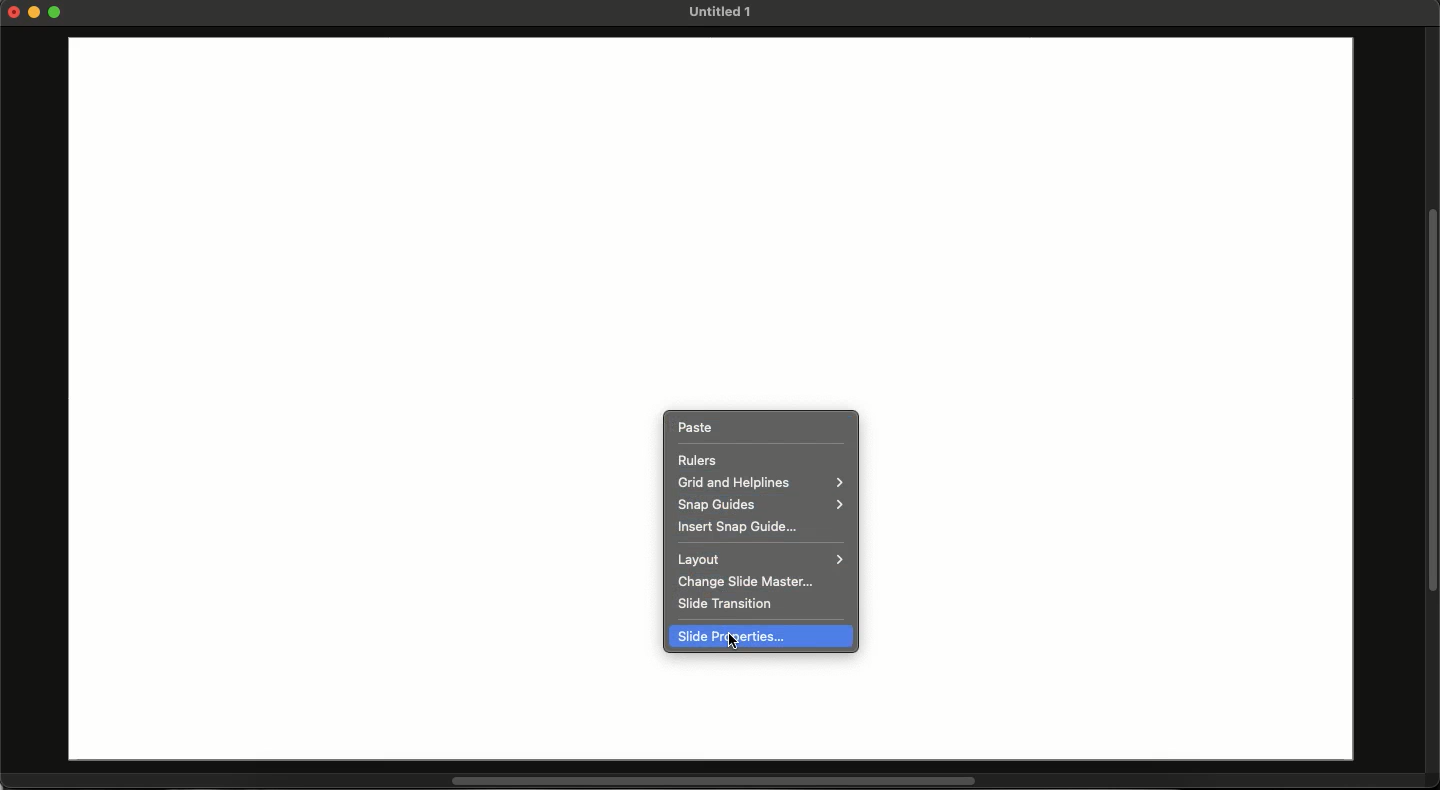 The height and width of the screenshot is (790, 1440). What do you see at coordinates (728, 604) in the screenshot?
I see `Slide transition` at bounding box center [728, 604].